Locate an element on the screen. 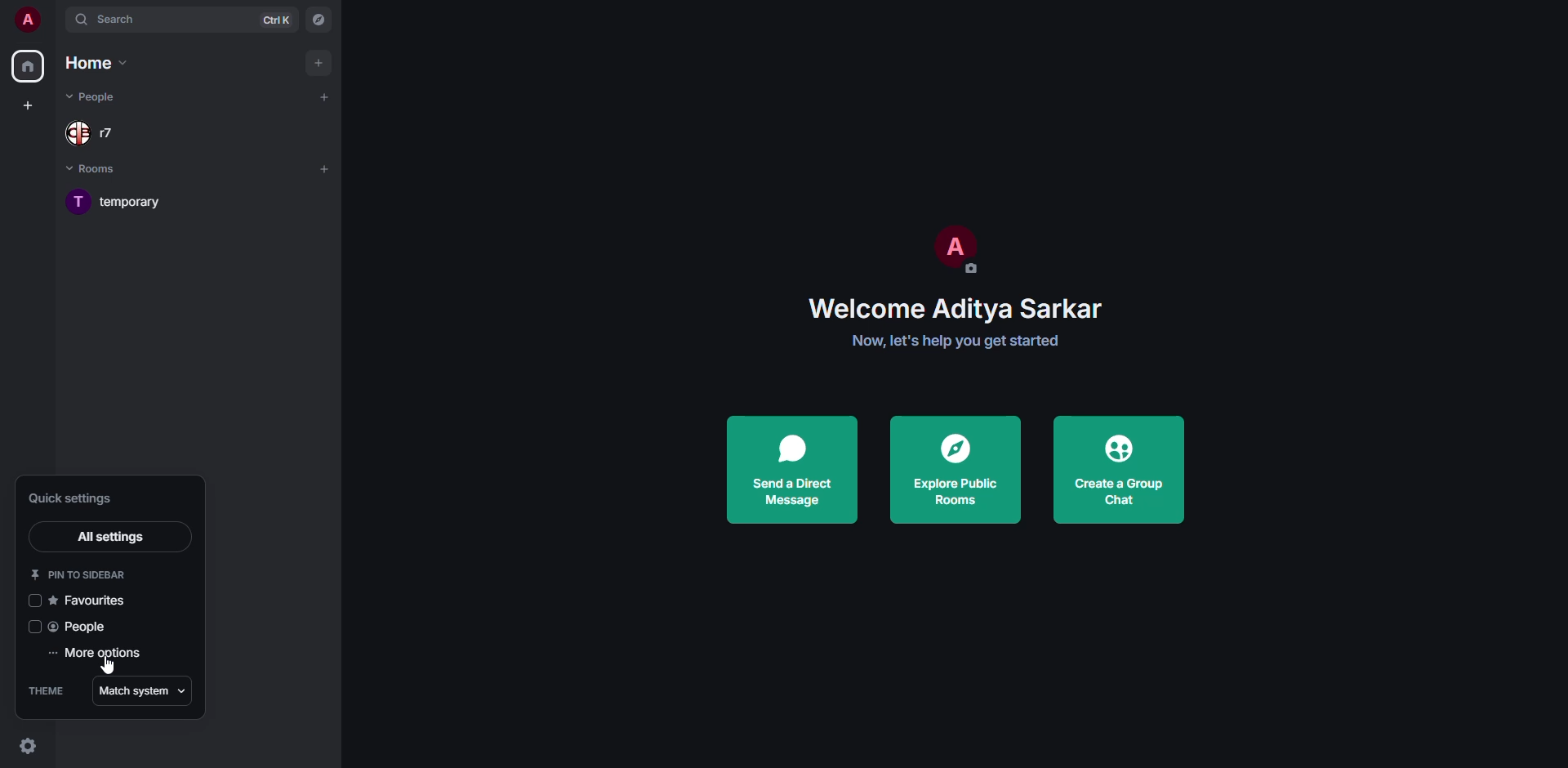 The width and height of the screenshot is (1568, 768). all settings is located at coordinates (109, 538).